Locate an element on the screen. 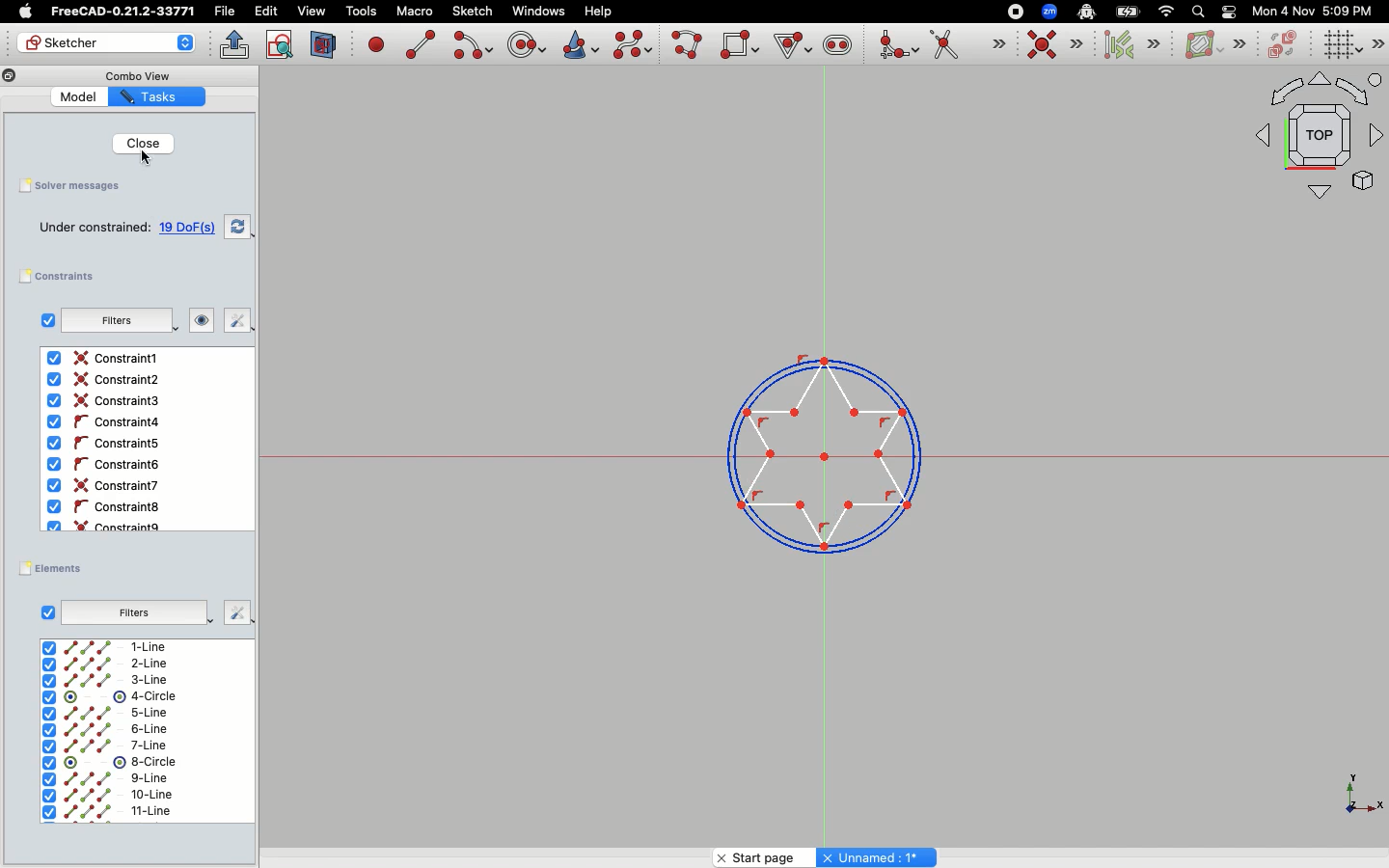 Image resolution: width=1389 pixels, height=868 pixels. Top is located at coordinates (1310, 140).